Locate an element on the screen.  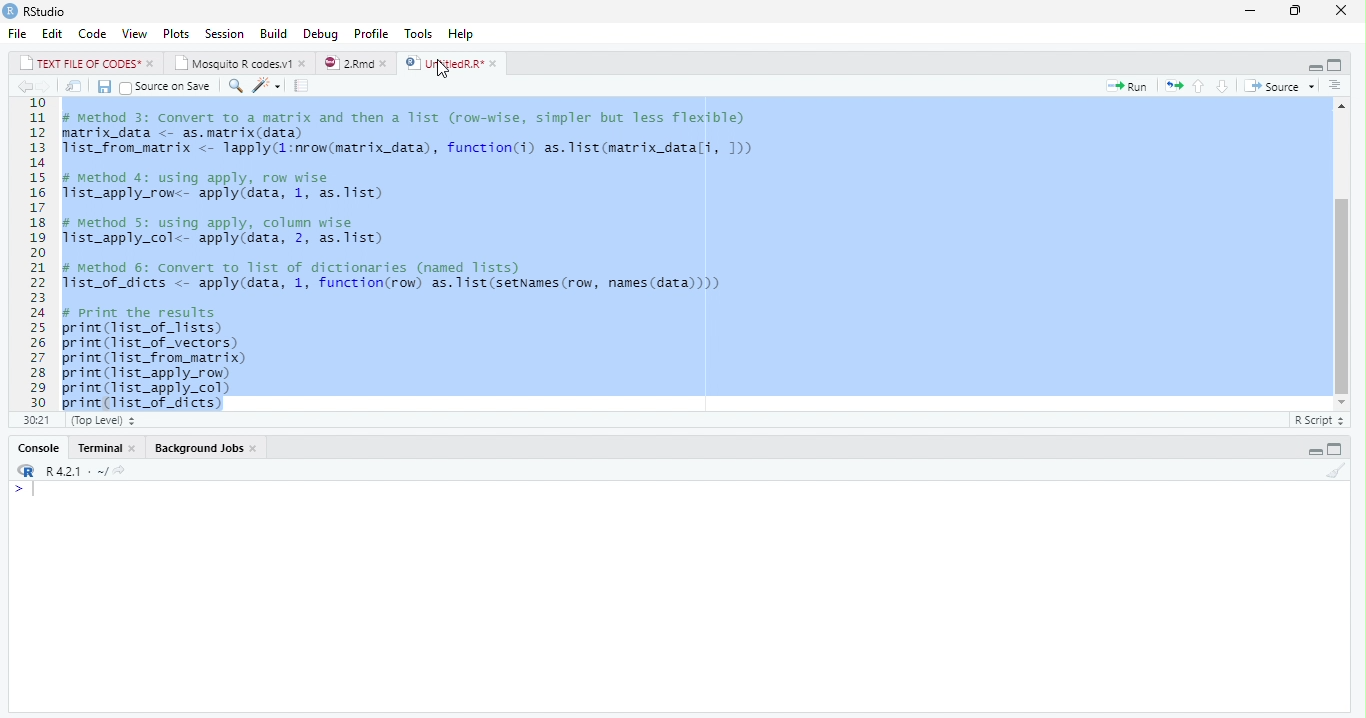
Clear is located at coordinates (1334, 470).